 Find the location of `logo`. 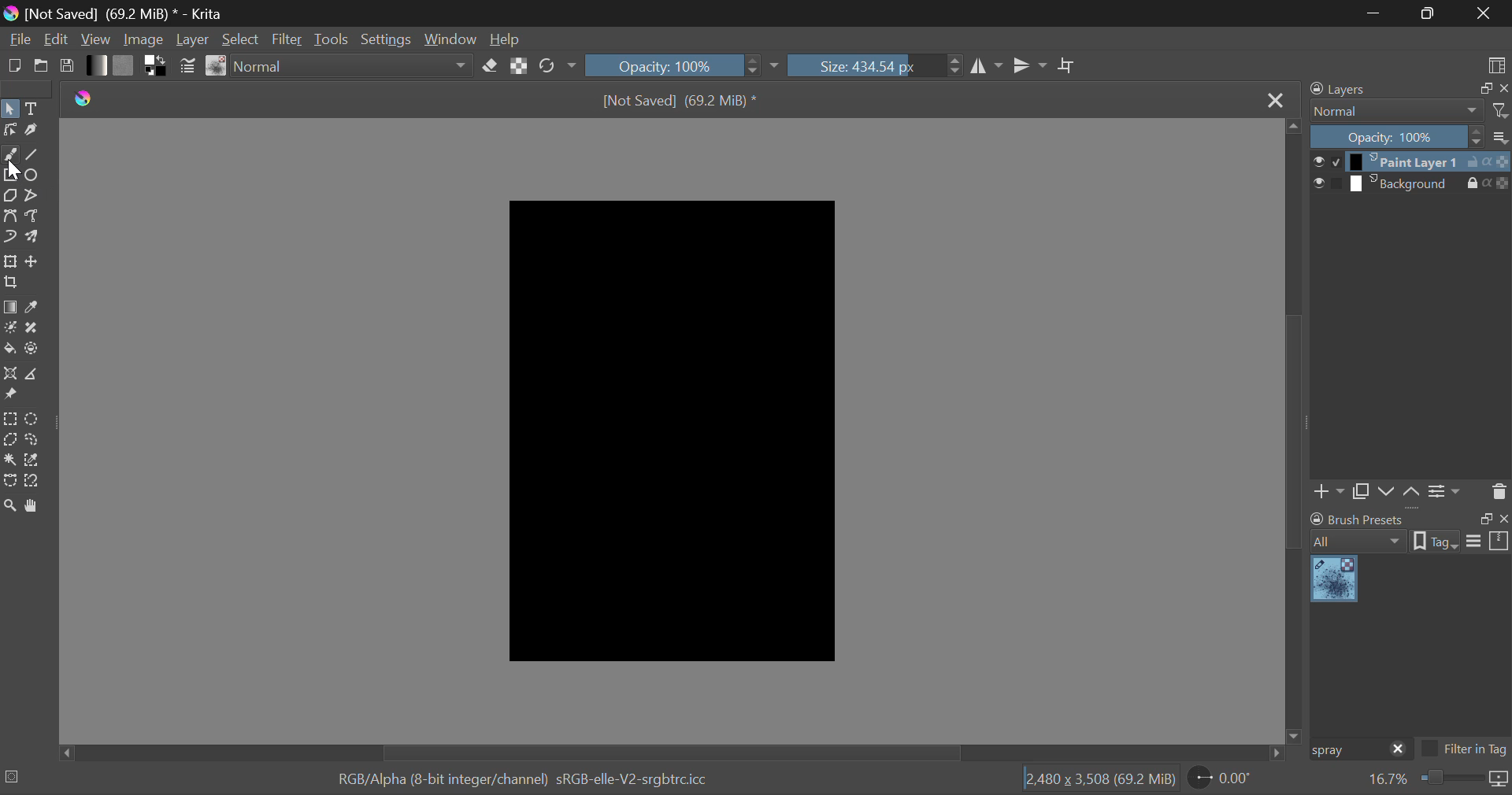

logo is located at coordinates (10, 12).